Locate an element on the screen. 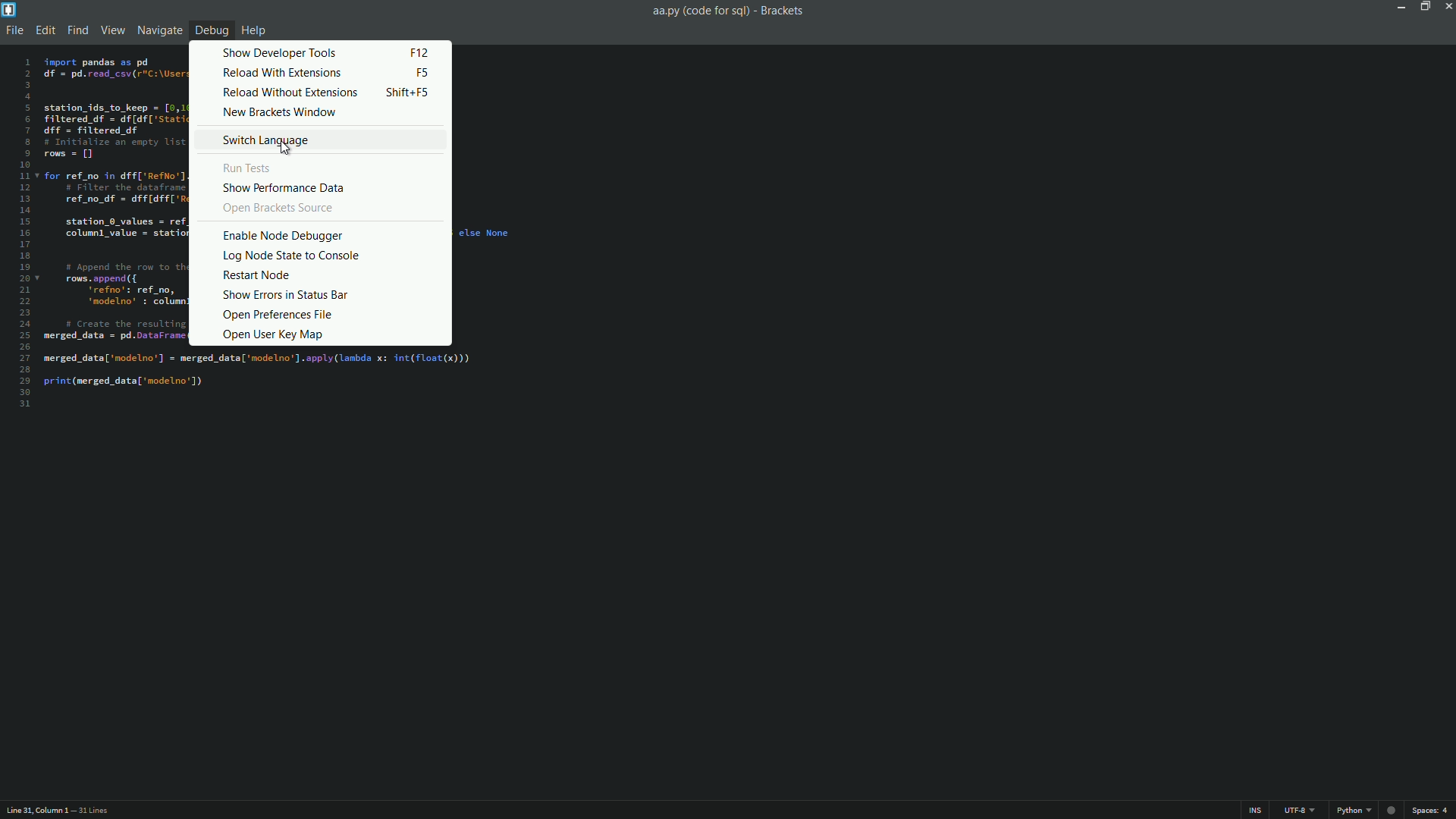  code is located at coordinates (115, 197).